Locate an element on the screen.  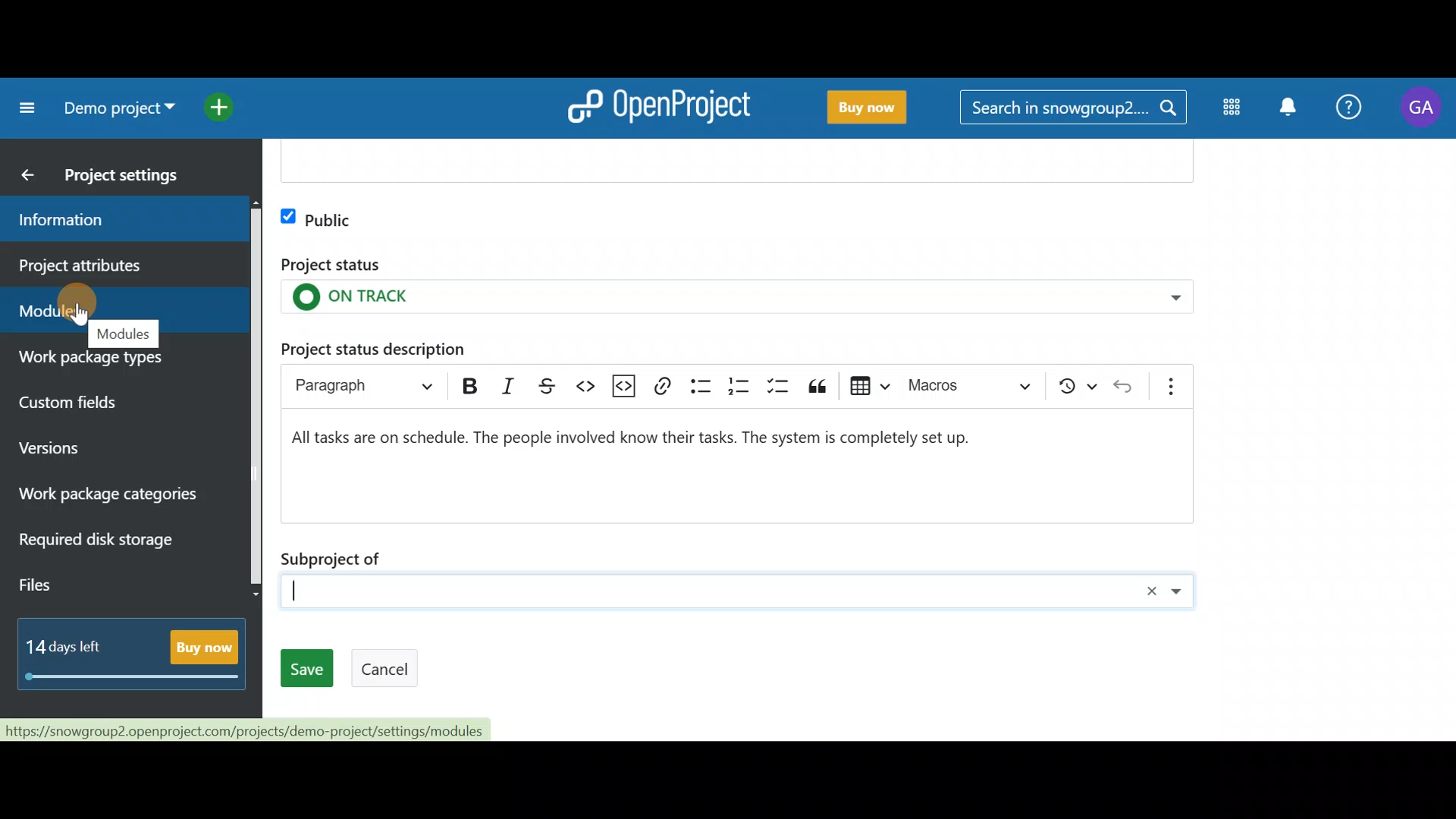
Project attributes is located at coordinates (120, 266).